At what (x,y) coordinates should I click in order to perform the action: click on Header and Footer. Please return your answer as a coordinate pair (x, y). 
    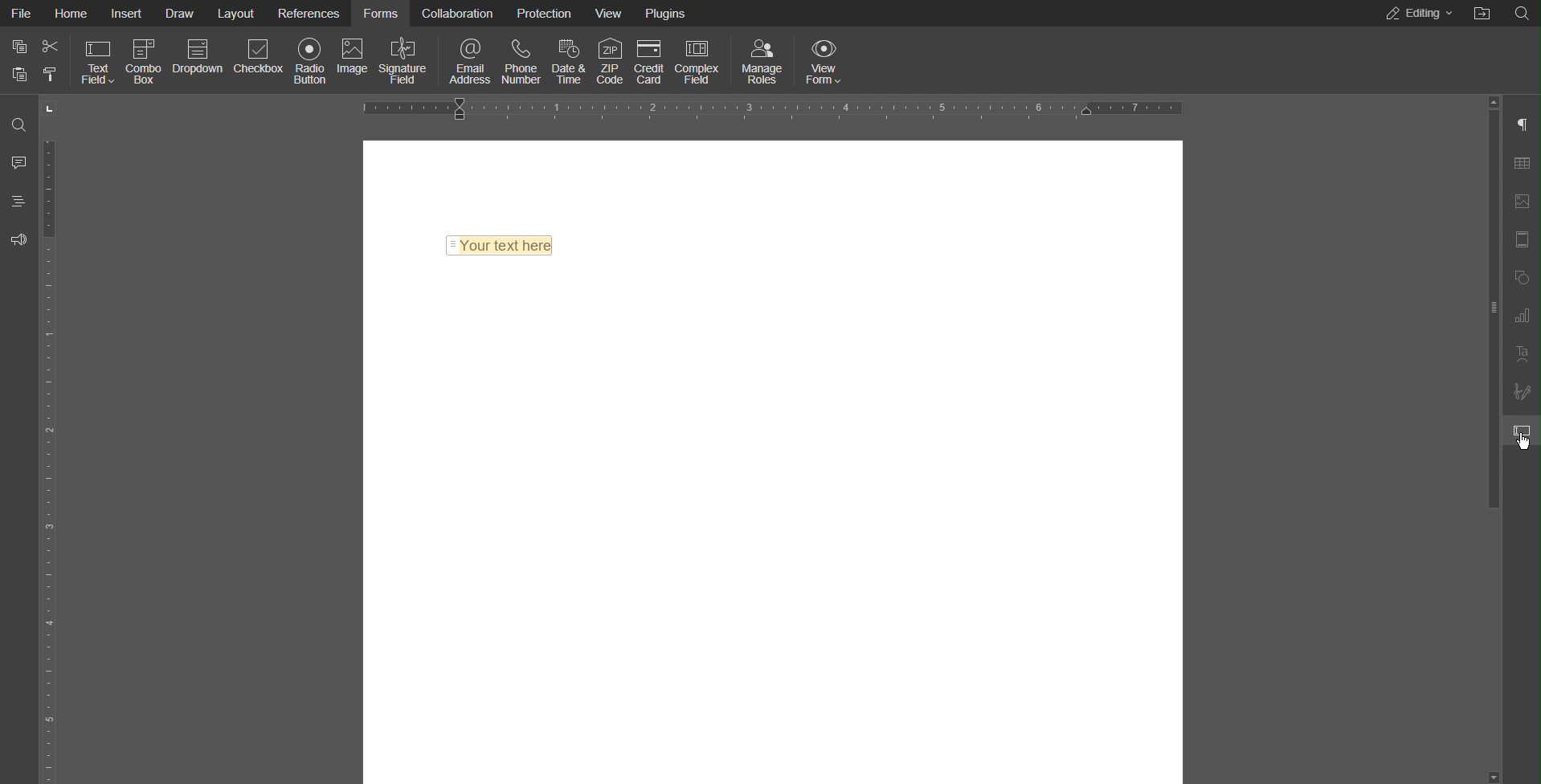
    Looking at the image, I should click on (1522, 241).